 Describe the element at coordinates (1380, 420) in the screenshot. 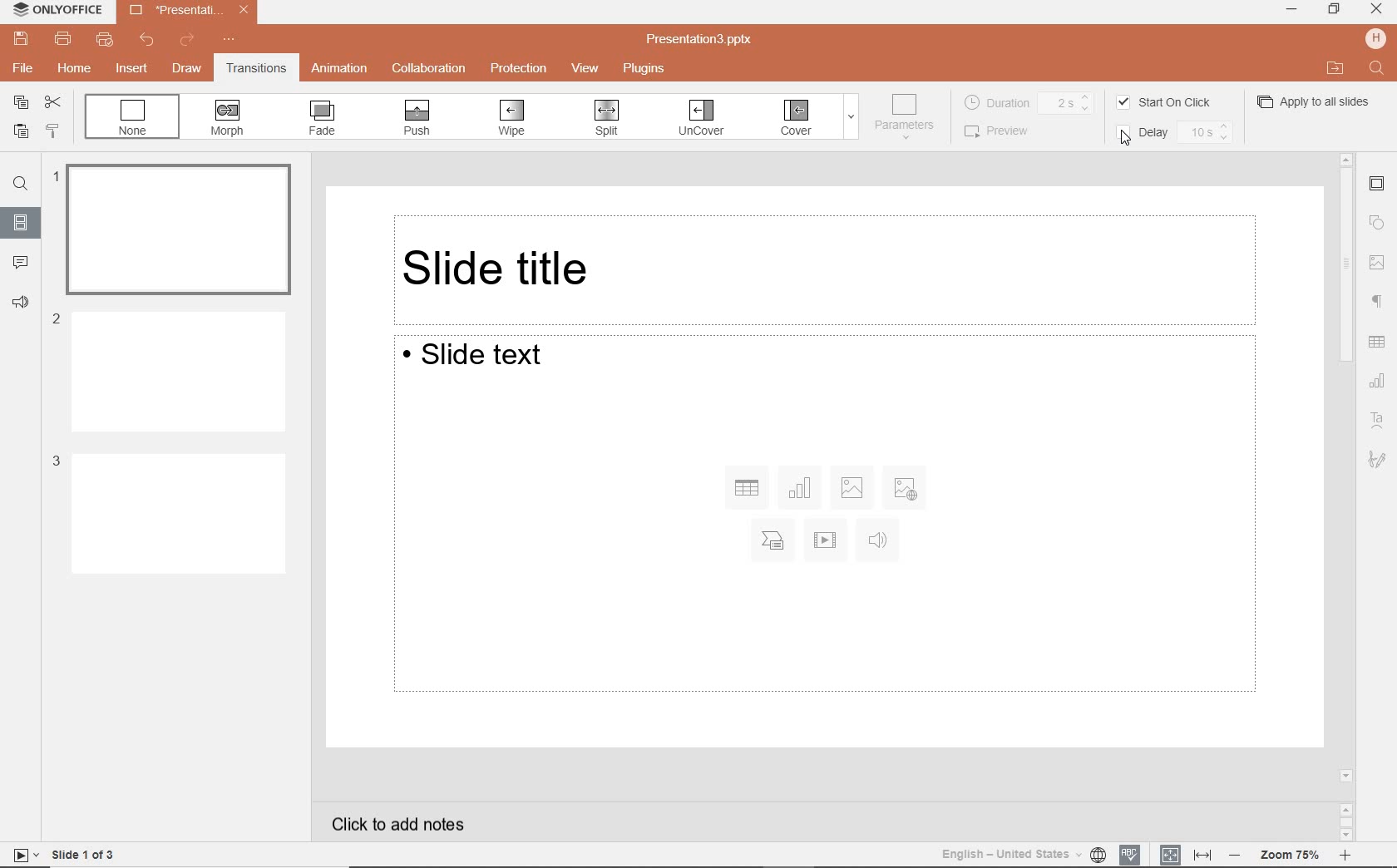

I see `textart` at that location.